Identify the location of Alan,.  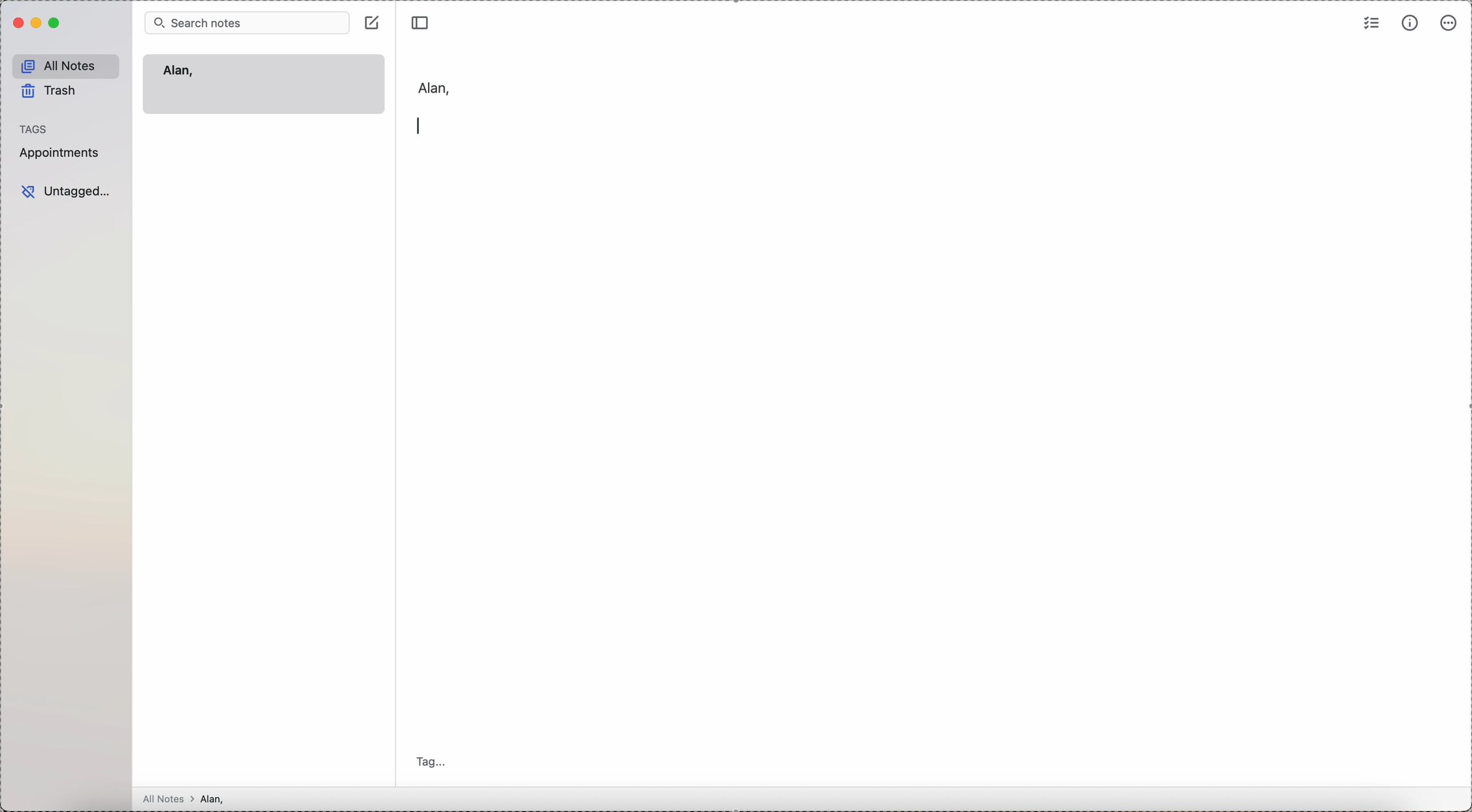
(435, 85).